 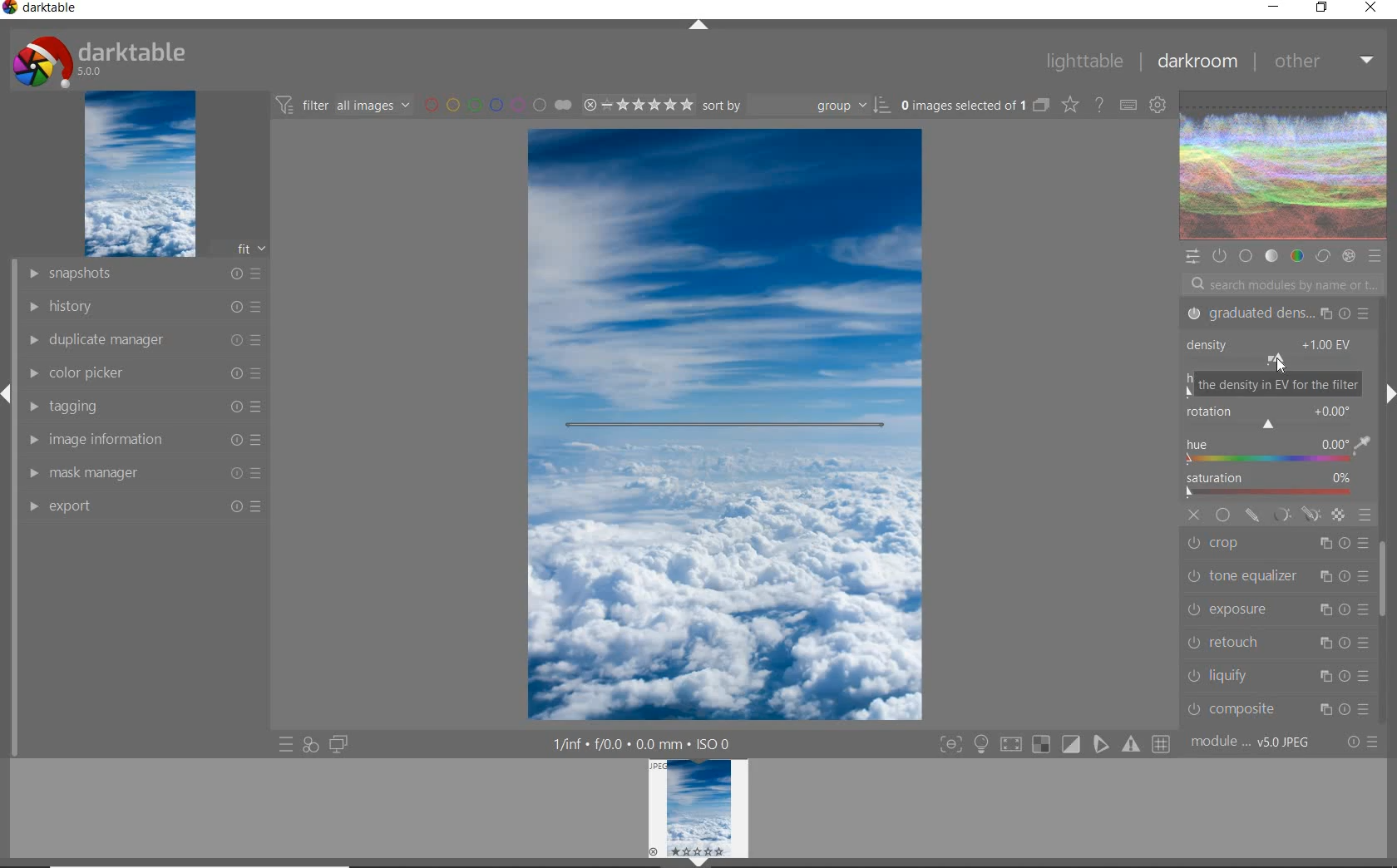 What do you see at coordinates (1042, 104) in the screenshot?
I see `COLLAPSE GROUPED IMAGES` at bounding box center [1042, 104].